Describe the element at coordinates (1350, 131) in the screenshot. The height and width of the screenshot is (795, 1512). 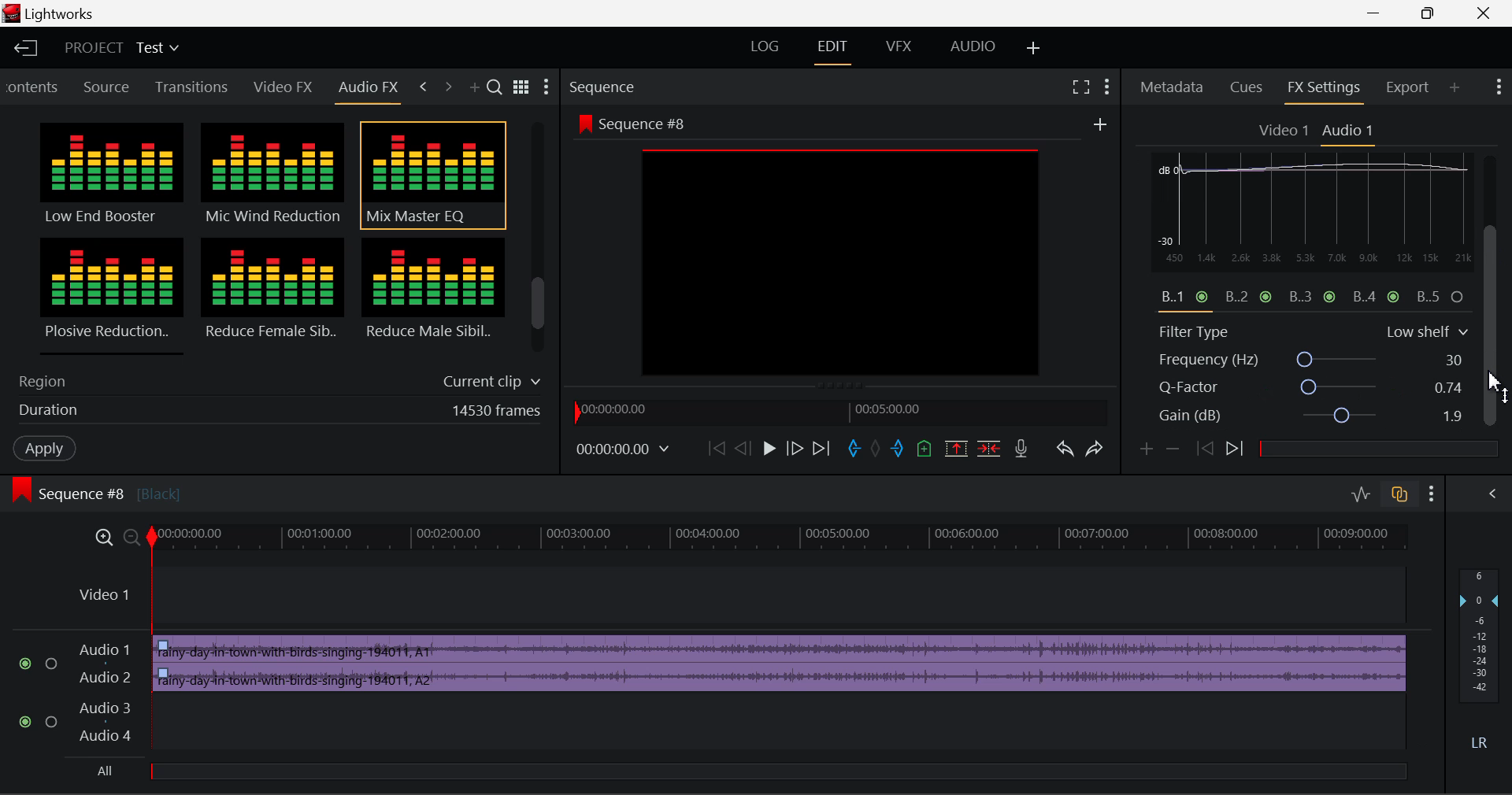
I see `Audio 1 Settings` at that location.